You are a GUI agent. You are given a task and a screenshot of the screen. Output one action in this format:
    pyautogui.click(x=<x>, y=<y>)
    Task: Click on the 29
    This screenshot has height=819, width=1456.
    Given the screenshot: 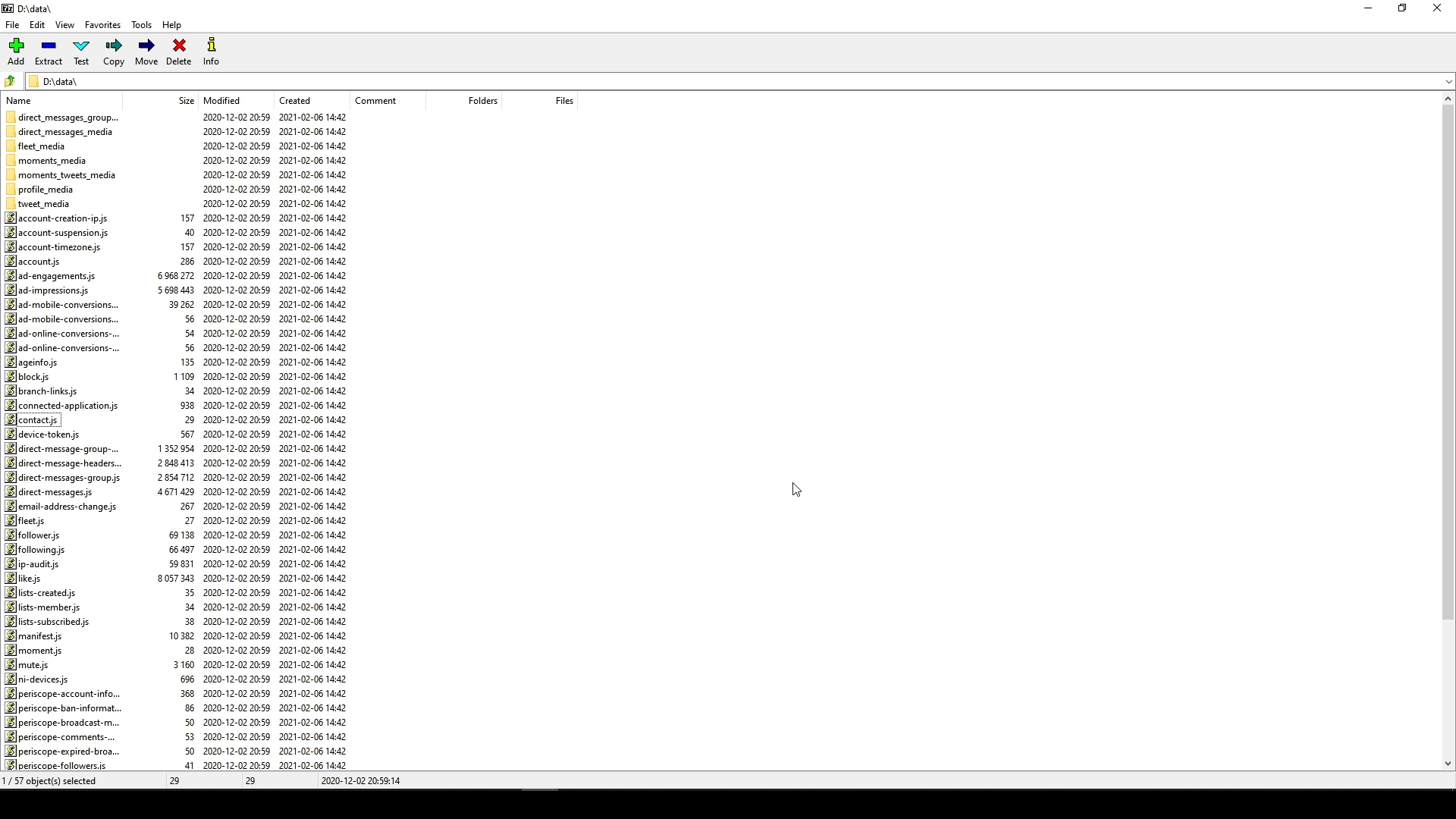 What is the action you would take?
    pyautogui.click(x=254, y=781)
    